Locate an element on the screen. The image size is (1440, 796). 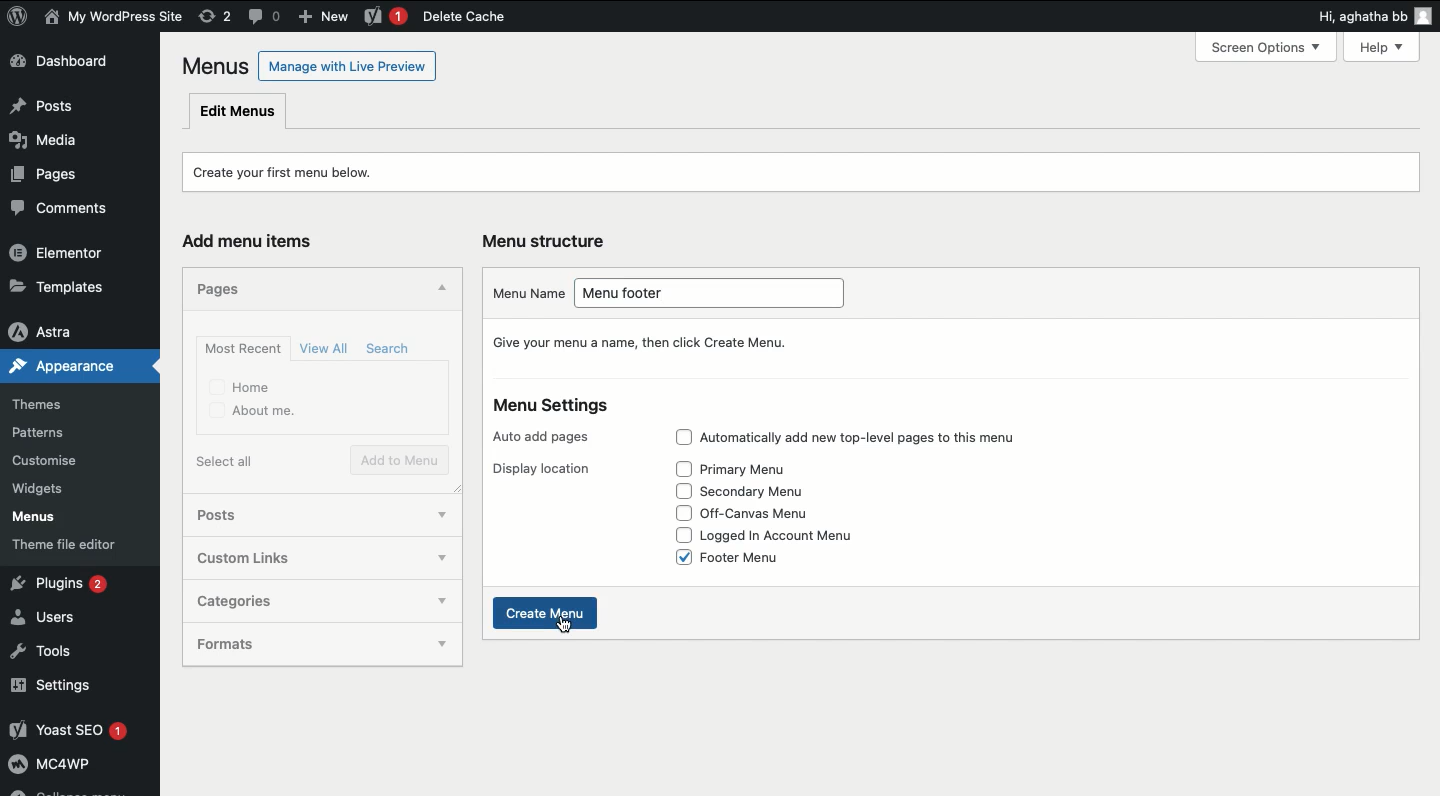
Pages is located at coordinates (215, 289).